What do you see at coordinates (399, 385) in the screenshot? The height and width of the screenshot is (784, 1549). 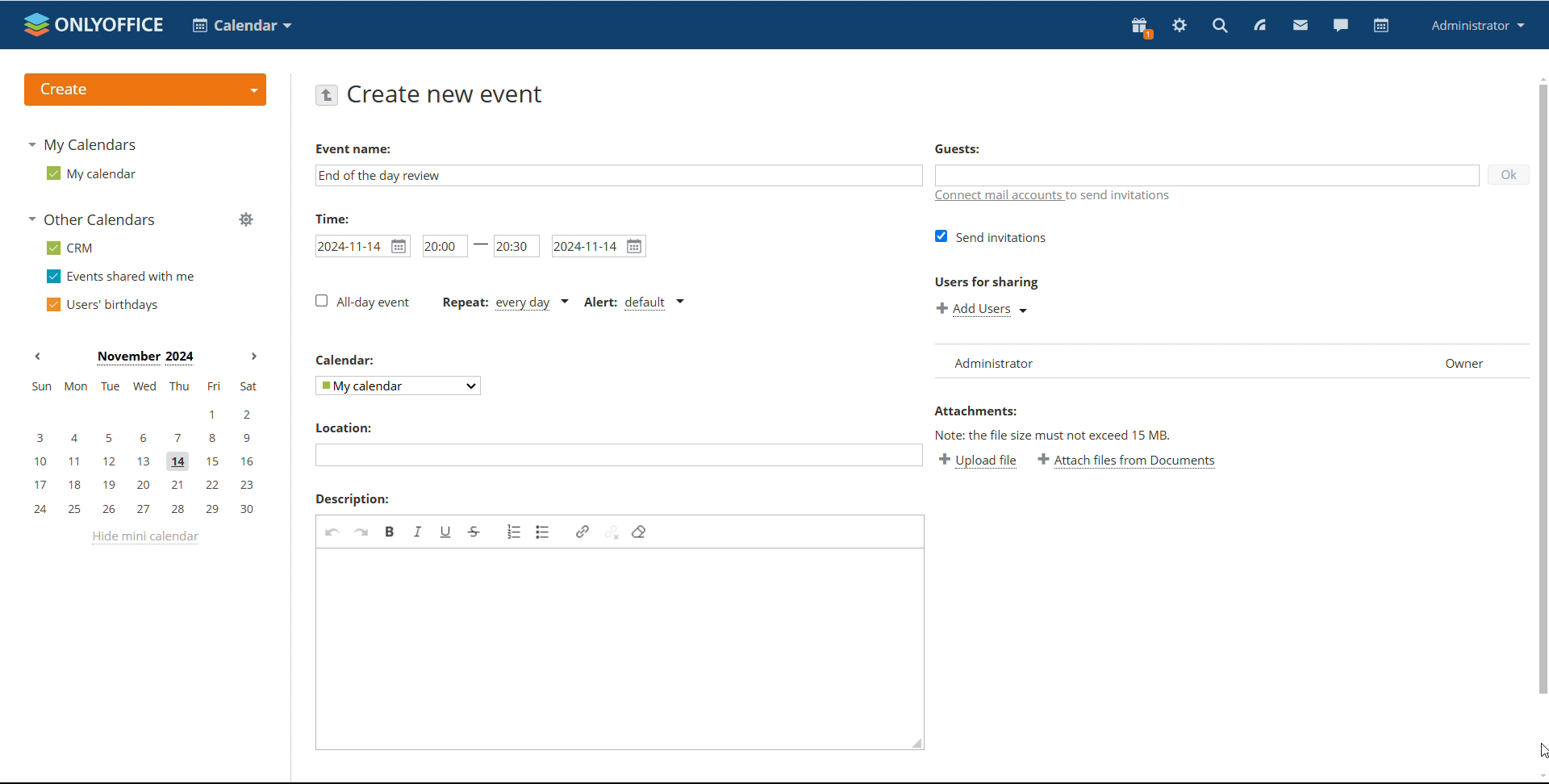 I see `select calendar` at bounding box center [399, 385].